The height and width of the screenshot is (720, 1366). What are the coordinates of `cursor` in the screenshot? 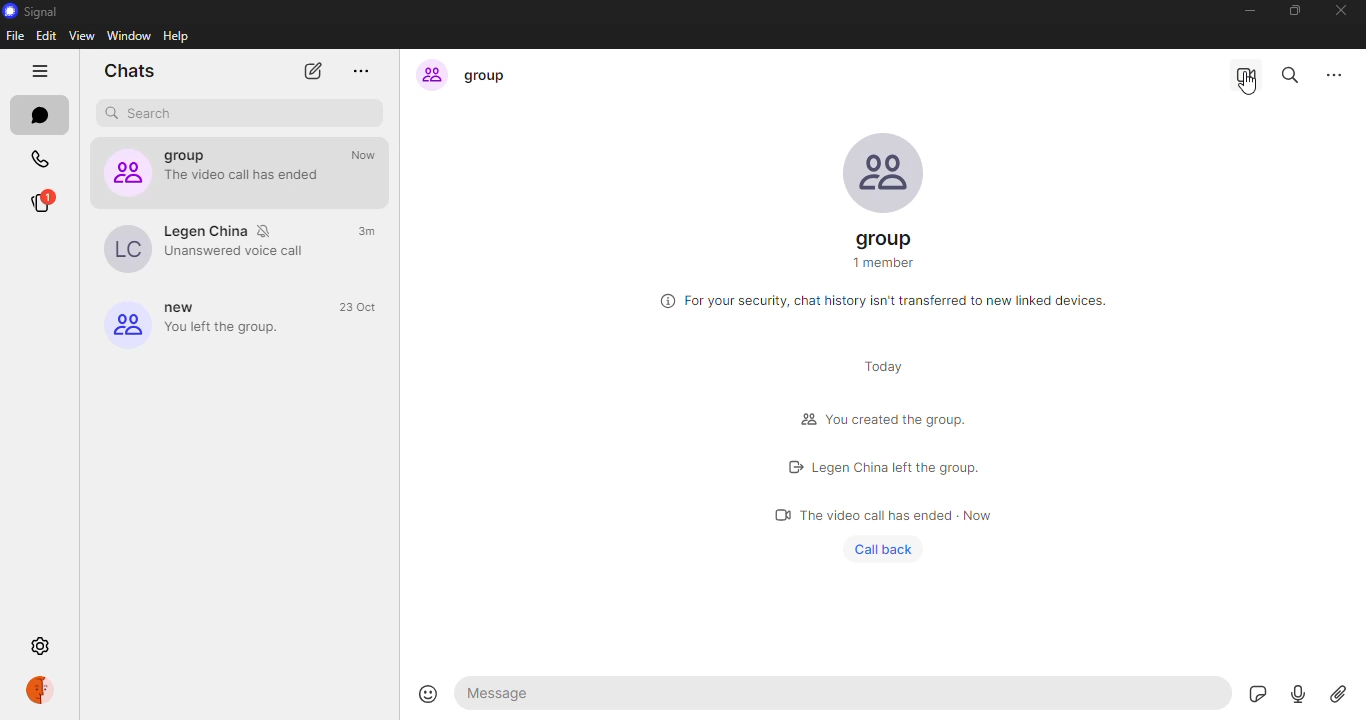 It's located at (1248, 85).